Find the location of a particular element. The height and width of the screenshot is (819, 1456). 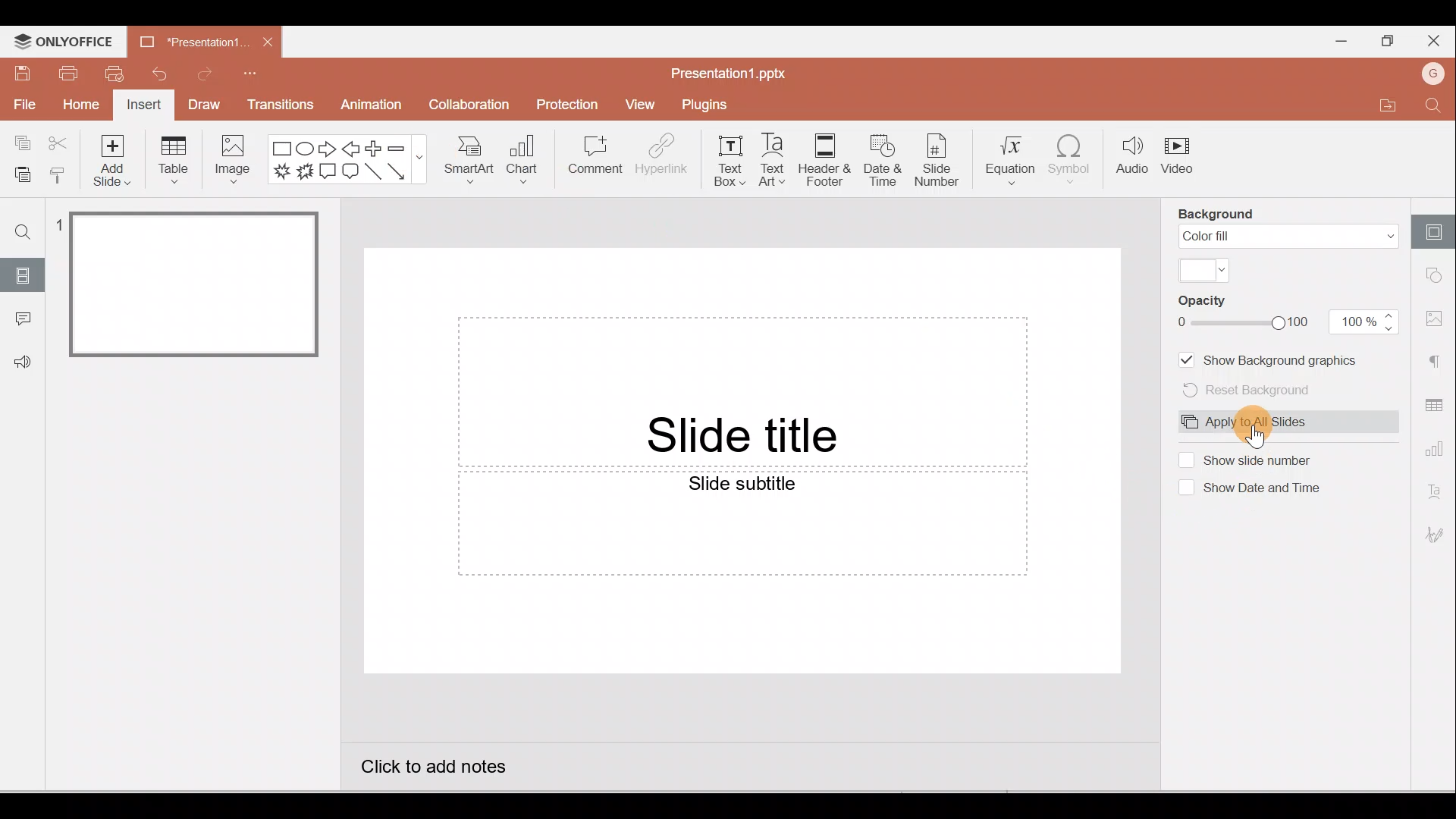

Equation is located at coordinates (1009, 159).